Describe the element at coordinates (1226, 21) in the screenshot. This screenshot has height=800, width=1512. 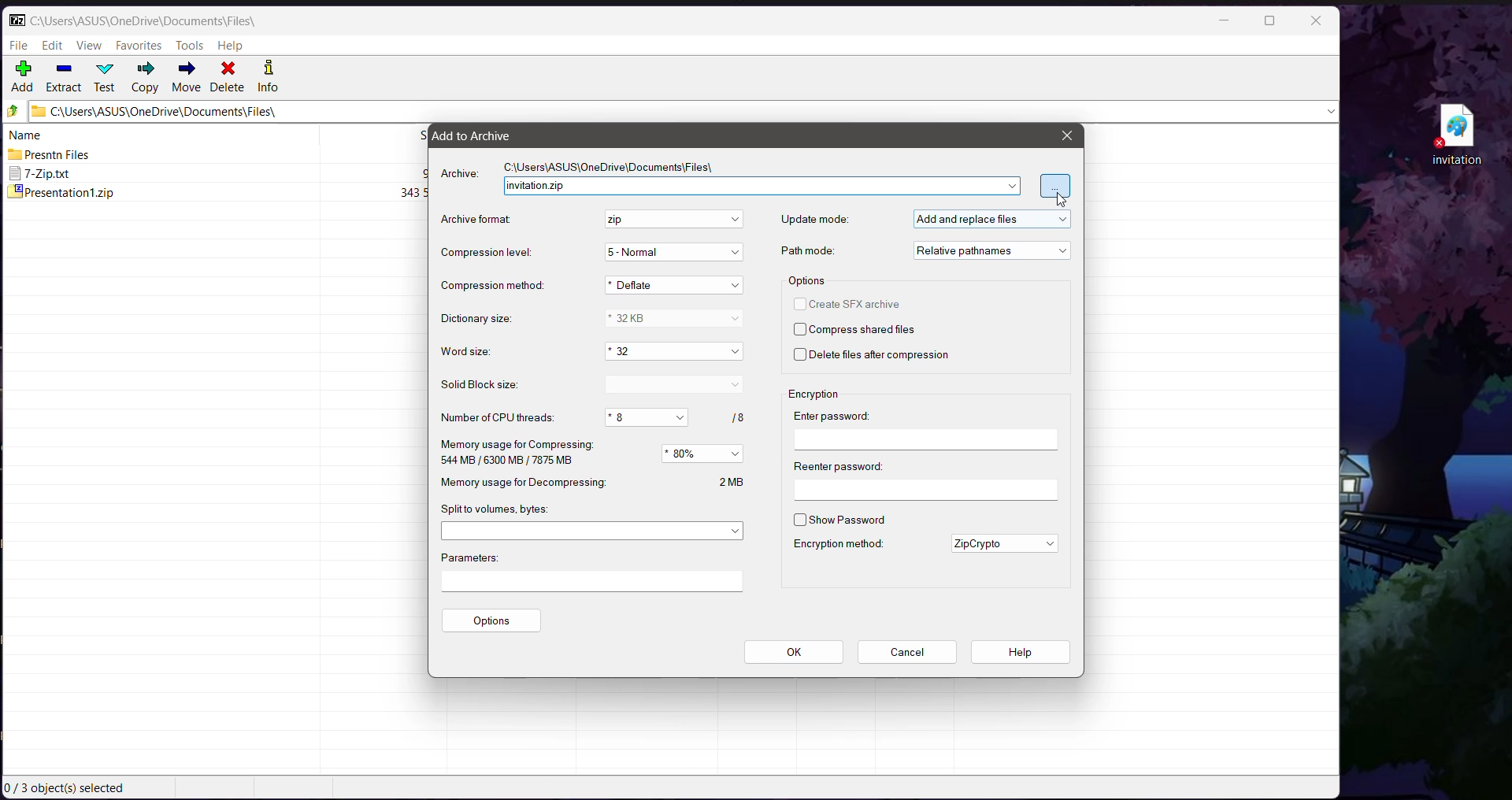
I see `Minimize` at that location.